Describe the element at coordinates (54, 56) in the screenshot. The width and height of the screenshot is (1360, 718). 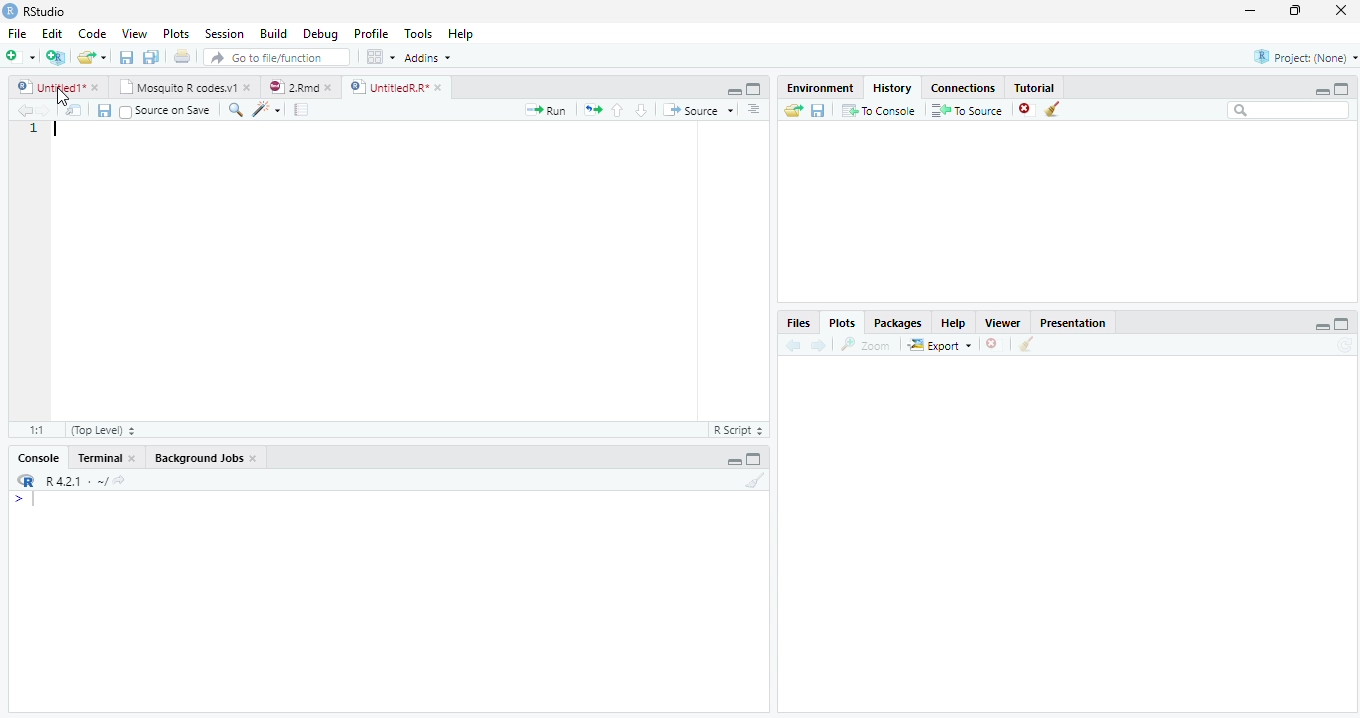
I see `Create a project` at that location.